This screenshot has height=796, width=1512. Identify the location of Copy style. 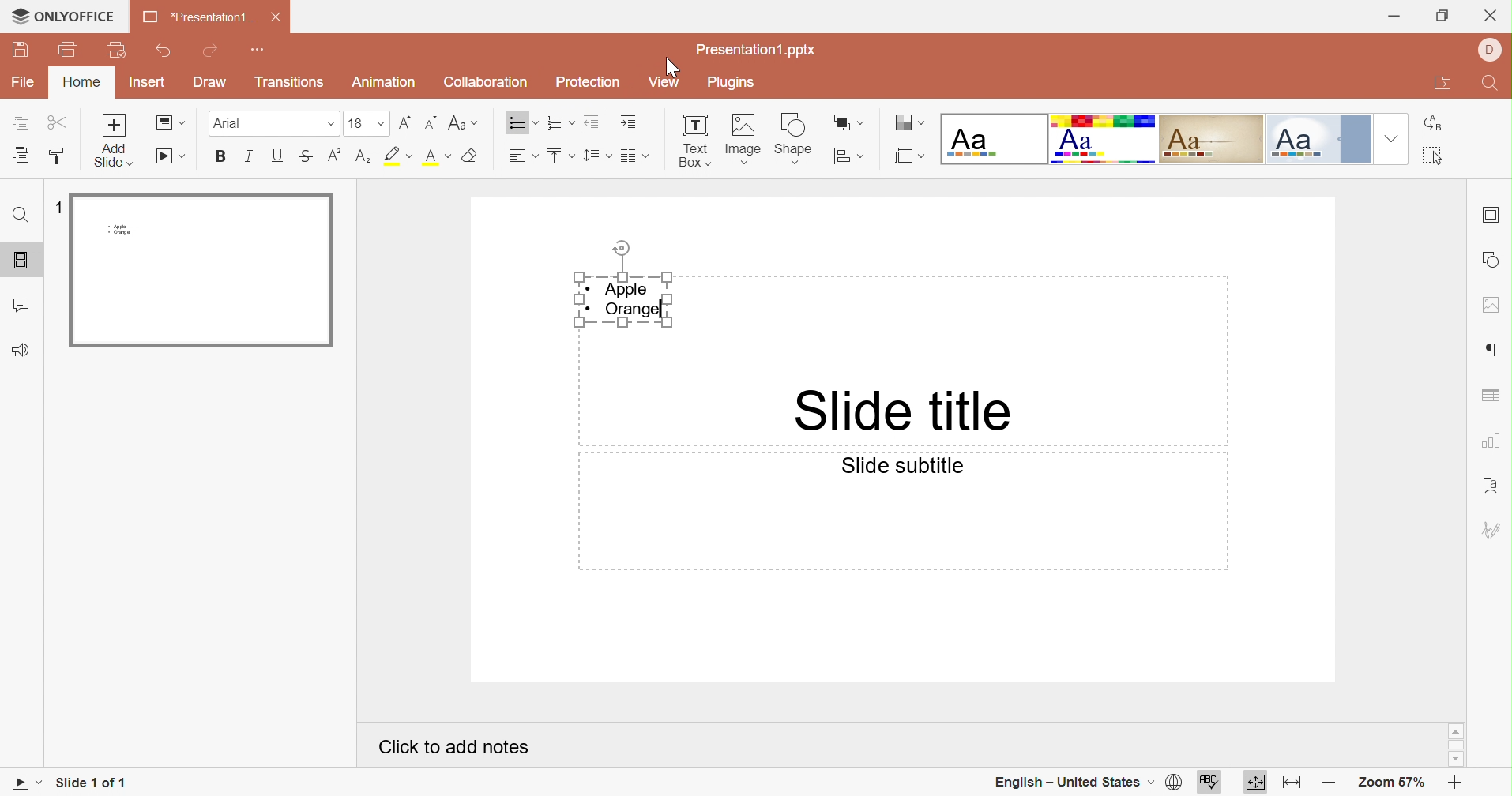
(58, 160).